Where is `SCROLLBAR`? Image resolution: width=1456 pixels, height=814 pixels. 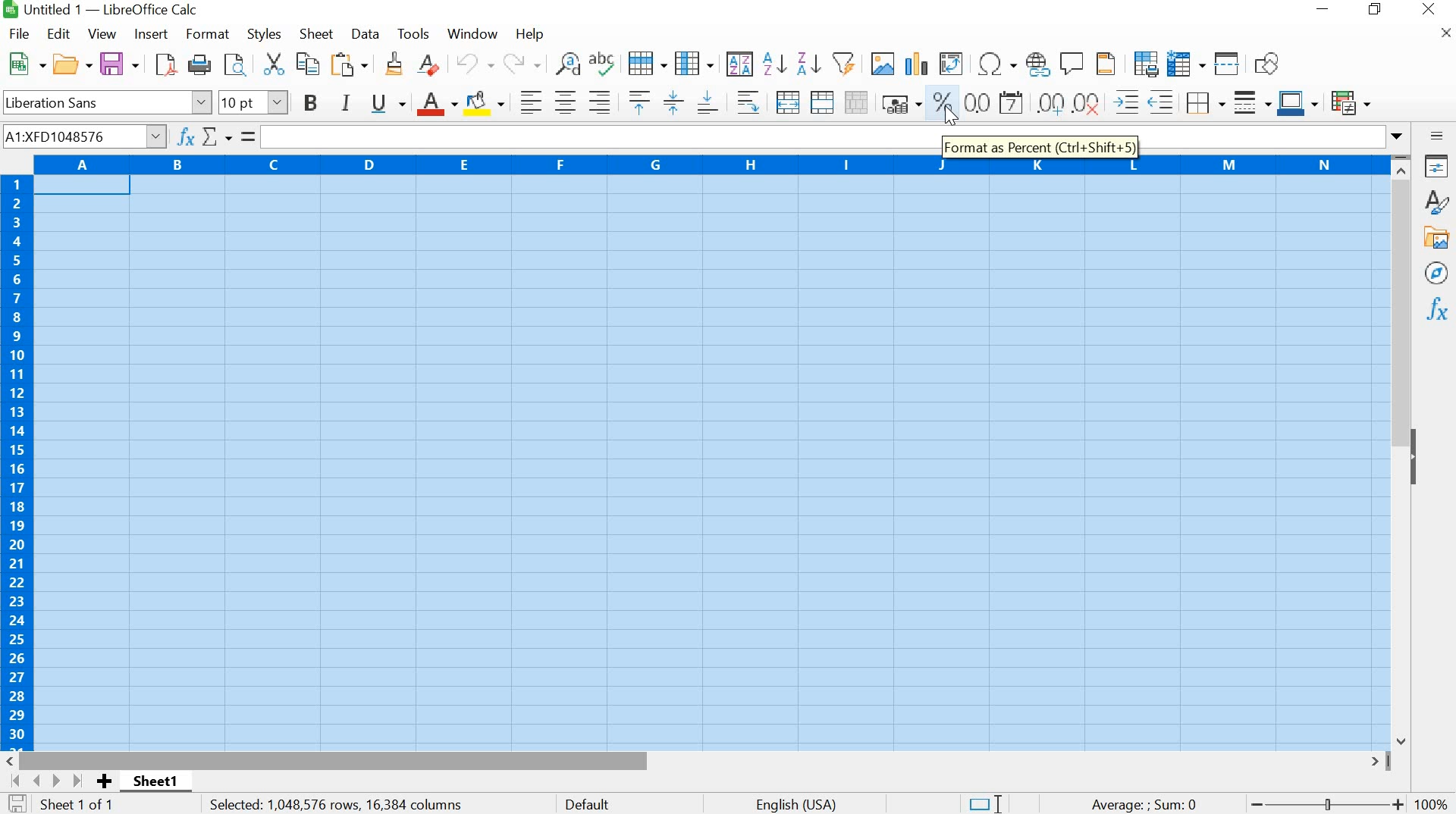 SCROLLBAR is located at coordinates (699, 761).